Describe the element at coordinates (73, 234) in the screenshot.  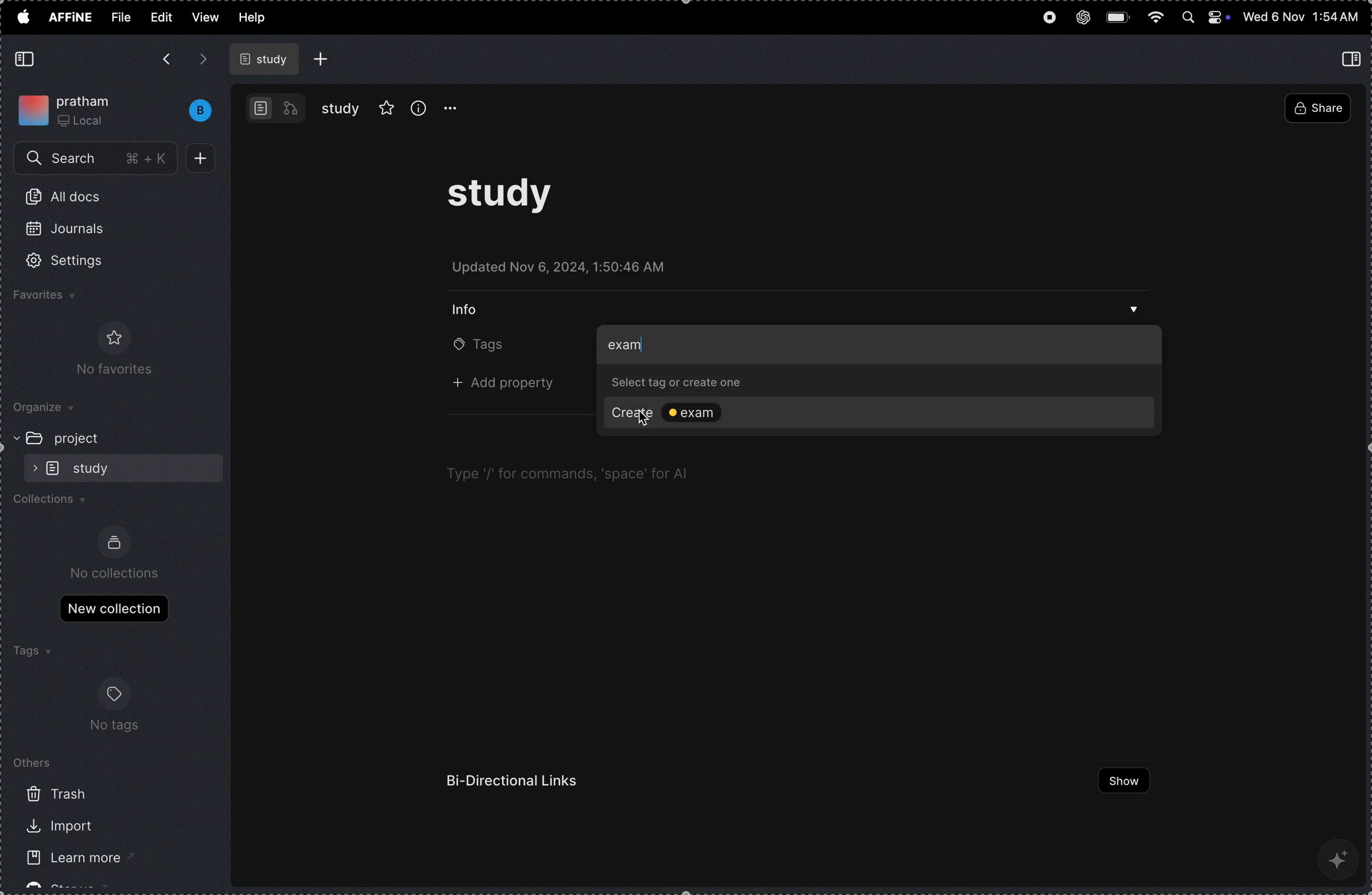
I see `journals` at that location.